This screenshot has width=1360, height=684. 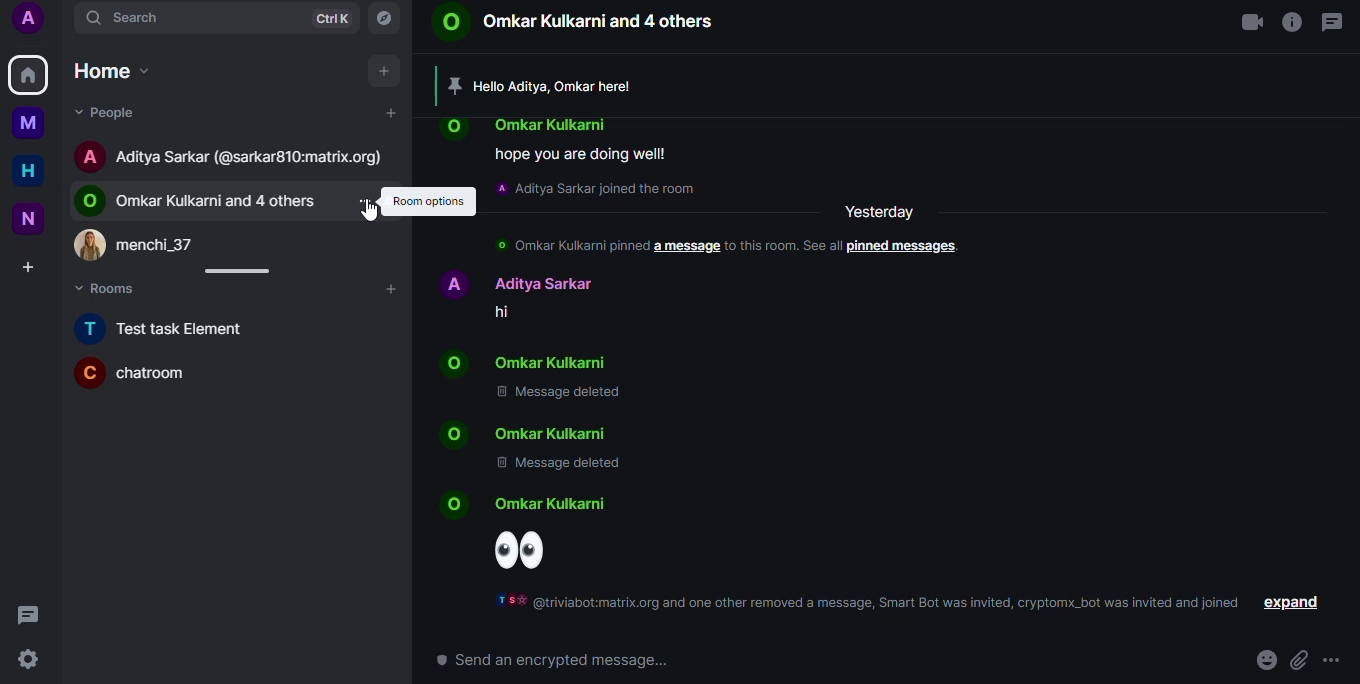 I want to click on cursor, so click(x=369, y=214).